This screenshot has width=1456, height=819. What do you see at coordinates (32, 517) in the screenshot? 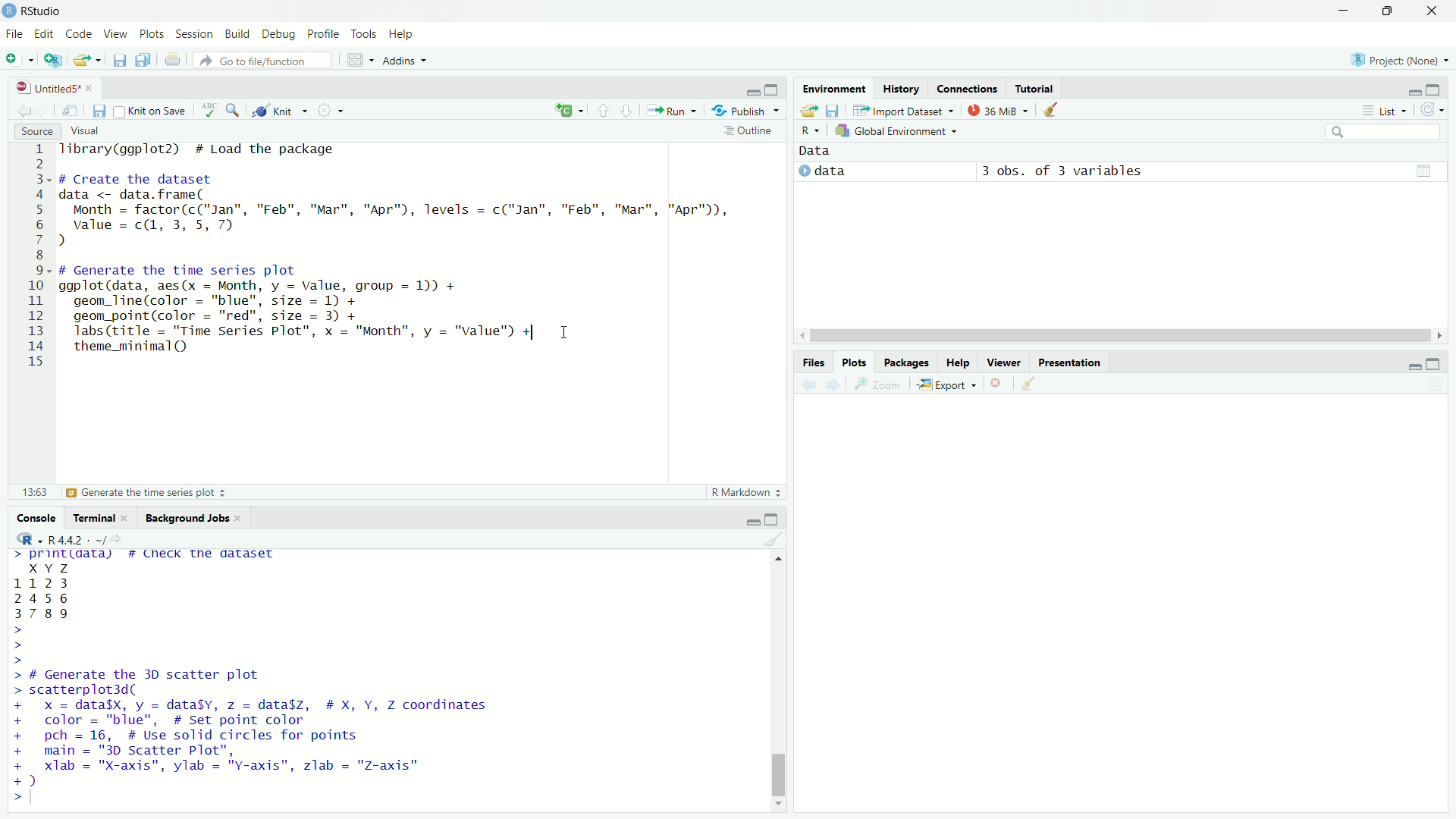
I see `console` at bounding box center [32, 517].